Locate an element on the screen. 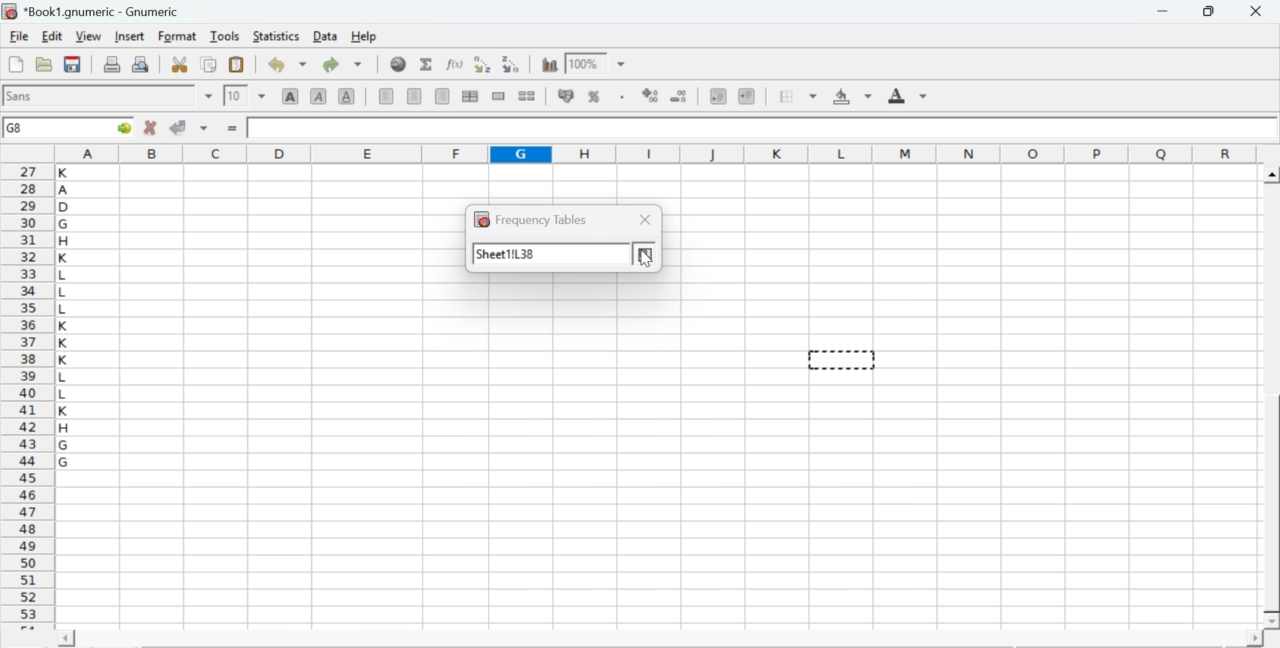 Image resolution: width=1280 pixels, height=648 pixels. G8 is located at coordinates (17, 128).